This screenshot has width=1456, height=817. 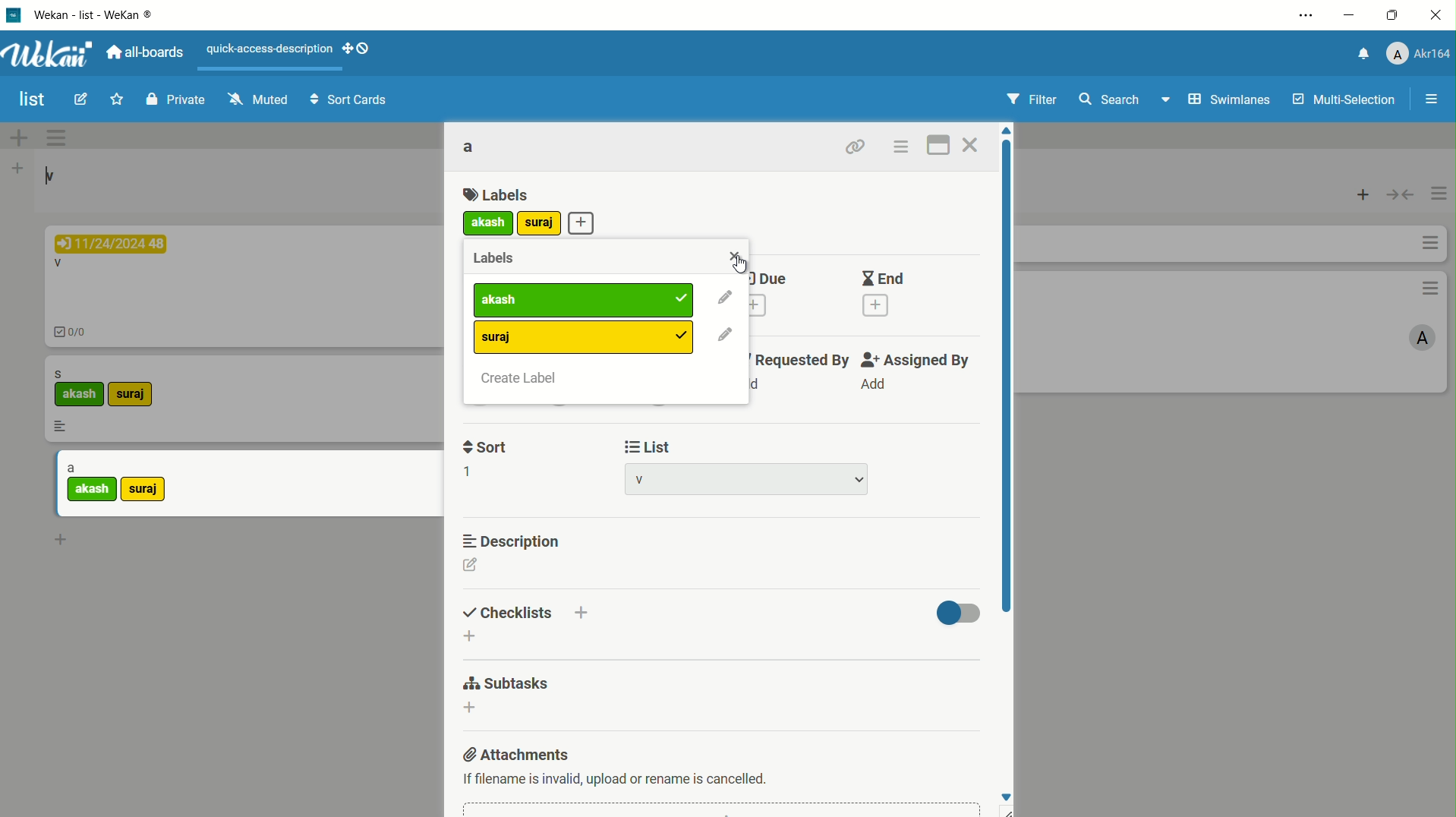 What do you see at coordinates (859, 480) in the screenshot?
I see `dropdown` at bounding box center [859, 480].